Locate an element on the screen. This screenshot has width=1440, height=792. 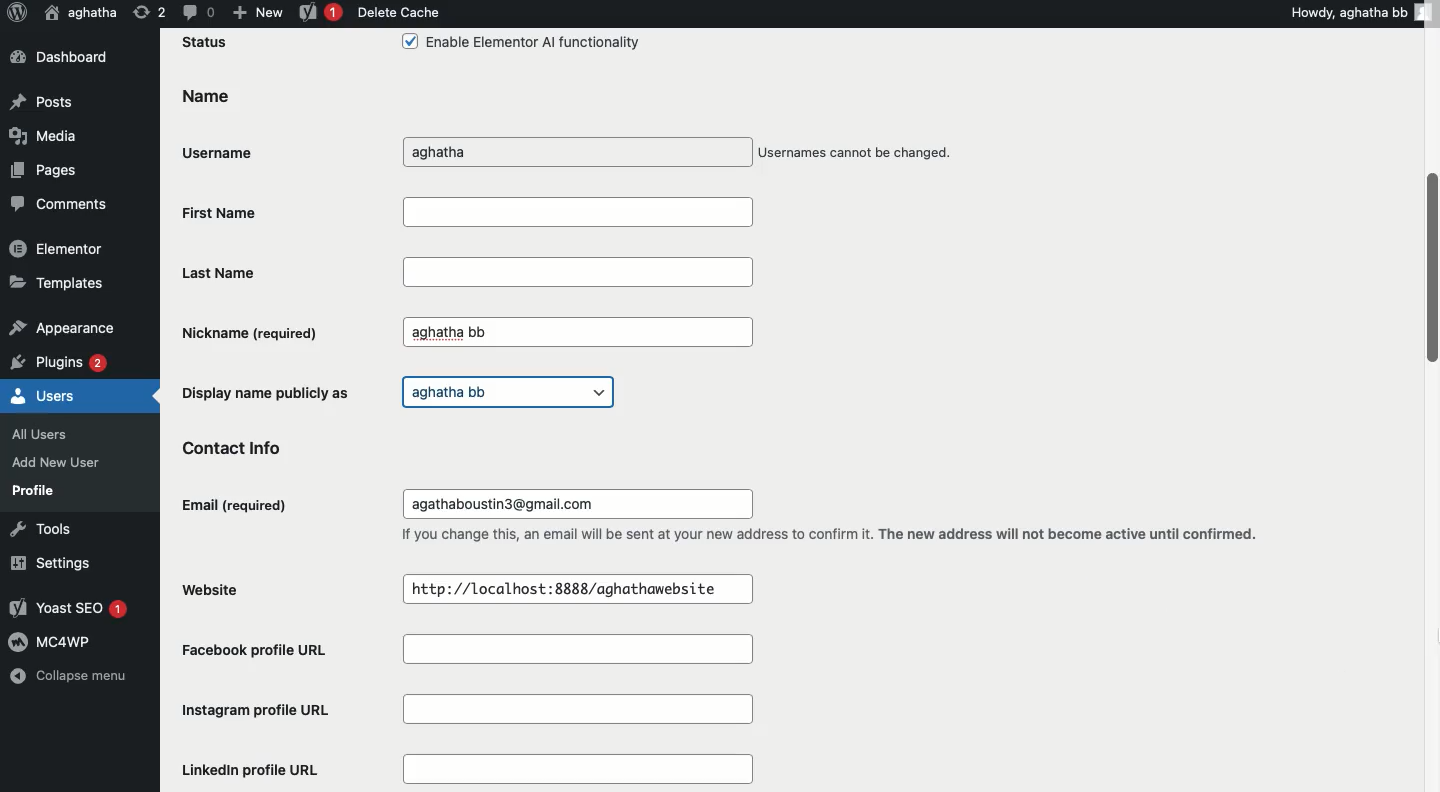
Appearance is located at coordinates (61, 325).